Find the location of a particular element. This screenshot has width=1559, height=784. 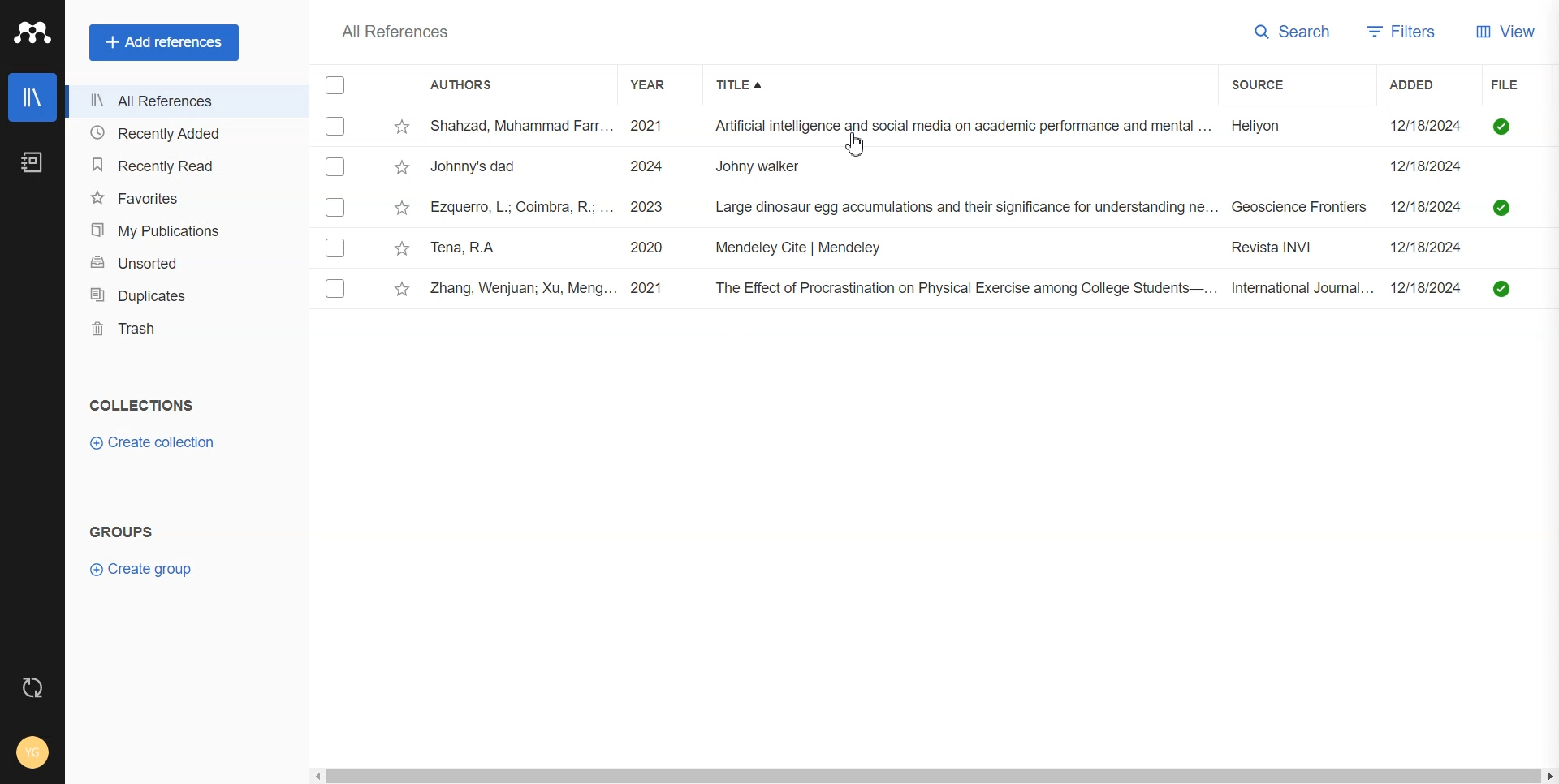

Checkmarks is located at coordinates (335, 209).